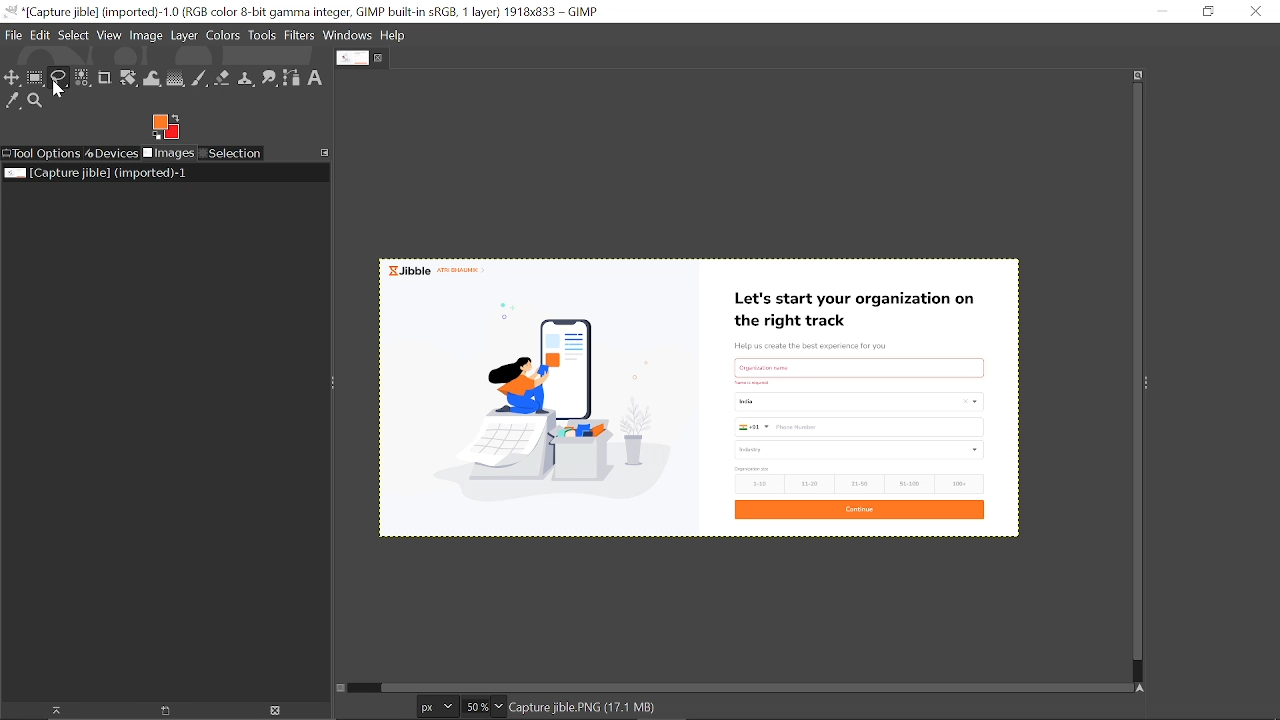 This screenshot has height=720, width=1280. Describe the element at coordinates (702, 396) in the screenshot. I see `Current image` at that location.